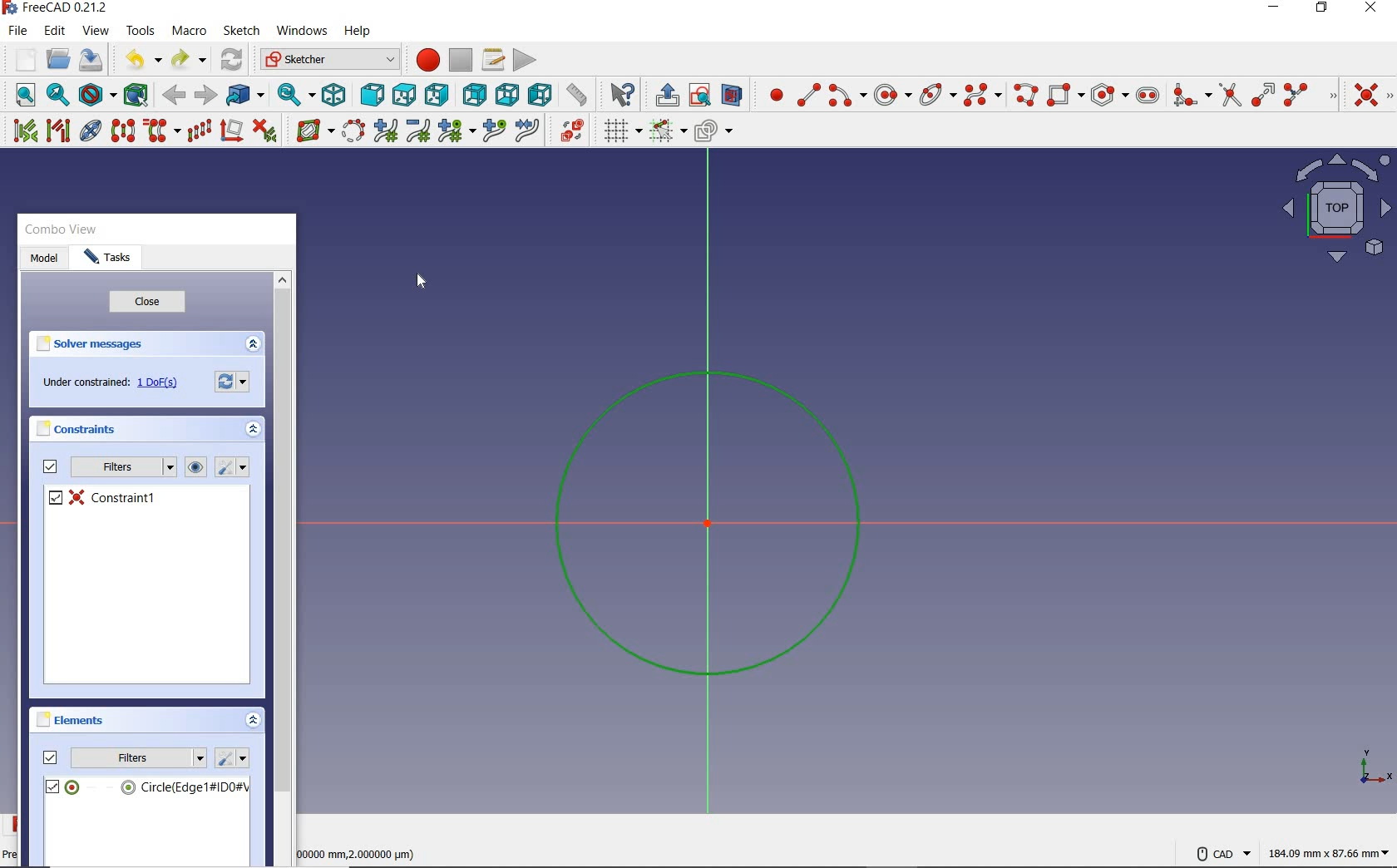  I want to click on bottom, so click(506, 94).